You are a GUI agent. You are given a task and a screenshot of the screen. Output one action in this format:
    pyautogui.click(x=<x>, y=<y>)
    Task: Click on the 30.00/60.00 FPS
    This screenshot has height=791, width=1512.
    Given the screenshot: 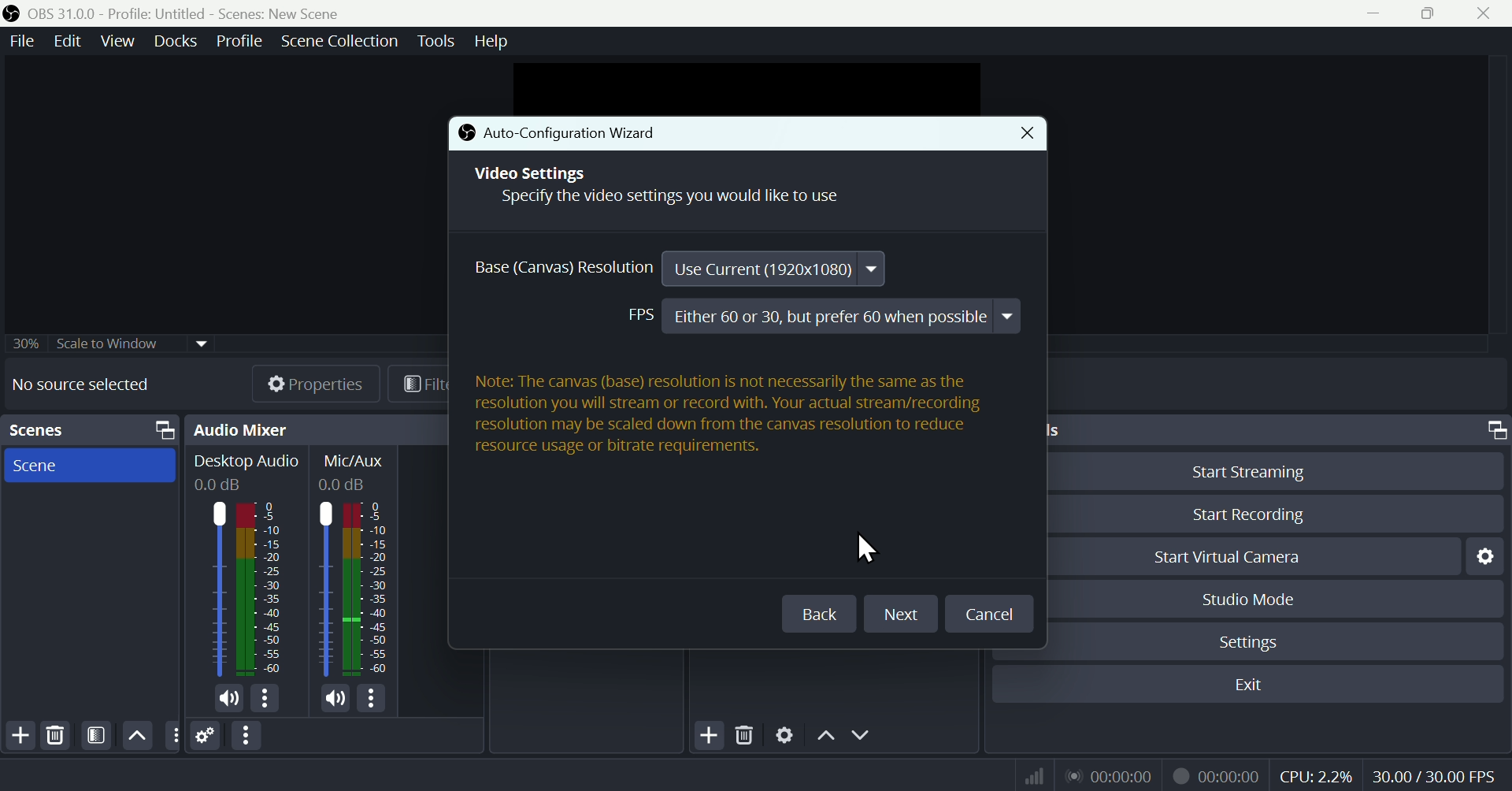 What is the action you would take?
    pyautogui.click(x=1438, y=772)
    